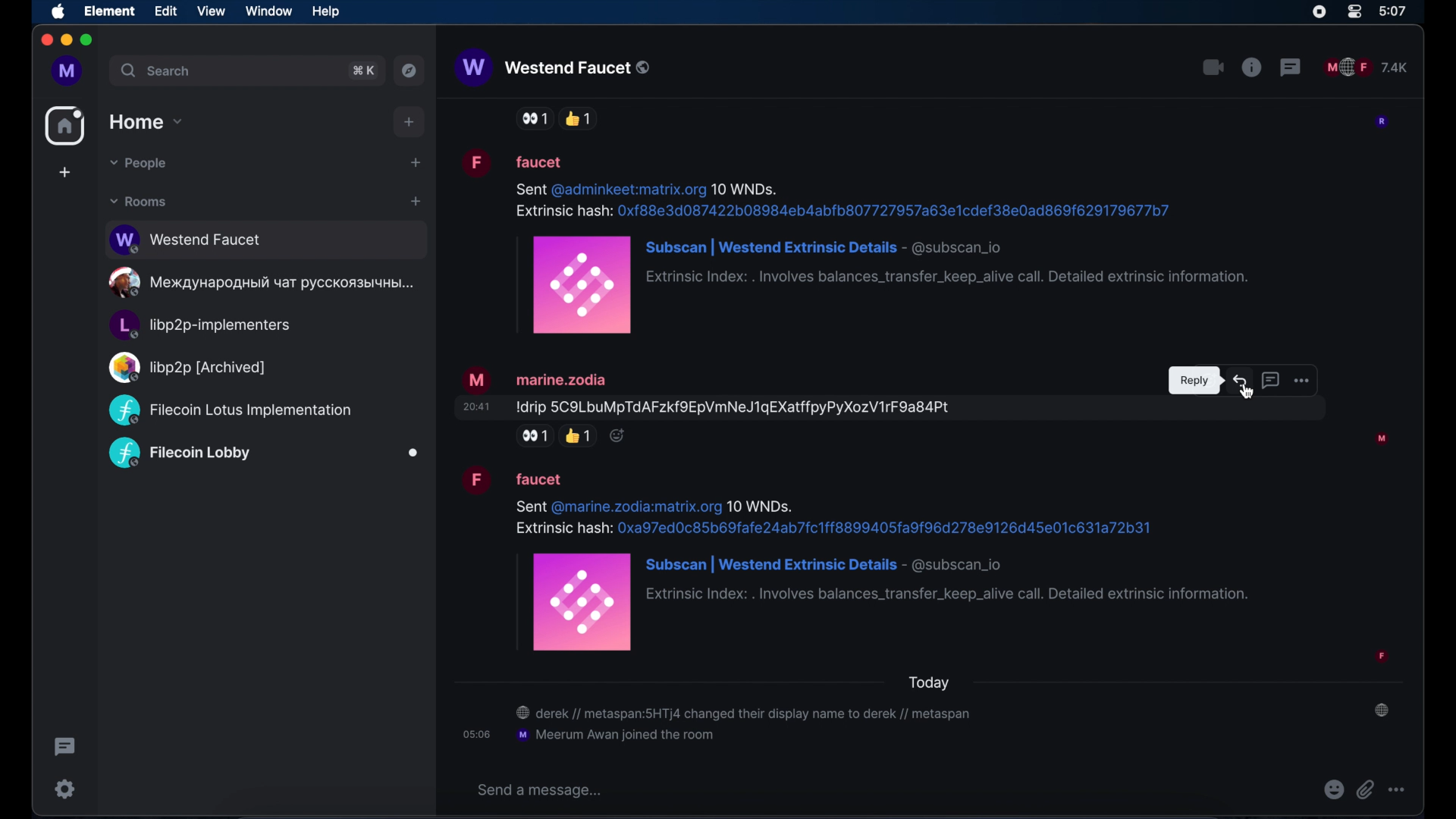 The height and width of the screenshot is (819, 1456). Describe the element at coordinates (64, 126) in the screenshot. I see `home` at that location.